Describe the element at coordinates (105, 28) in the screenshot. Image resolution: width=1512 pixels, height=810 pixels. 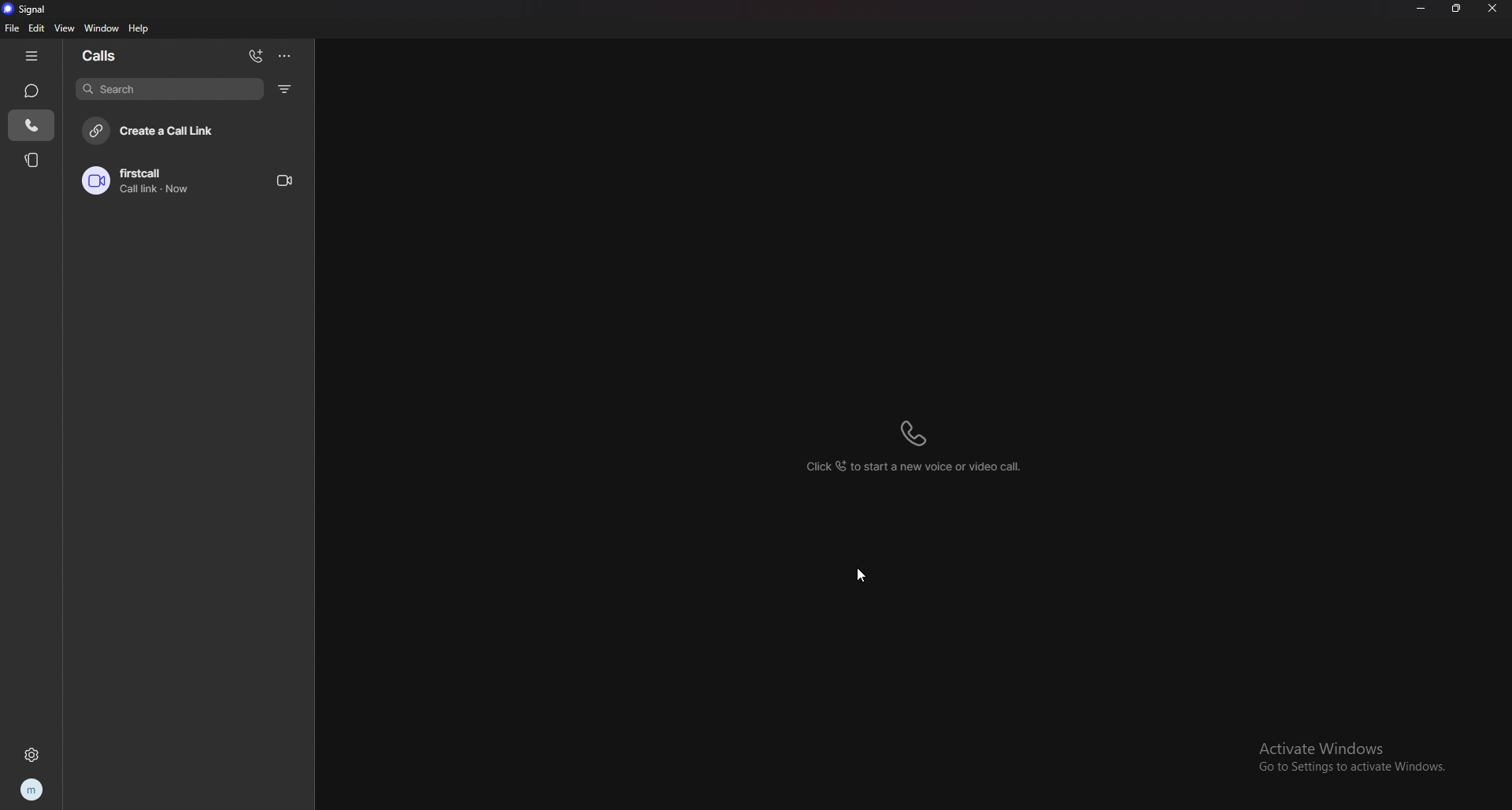
I see `window` at that location.